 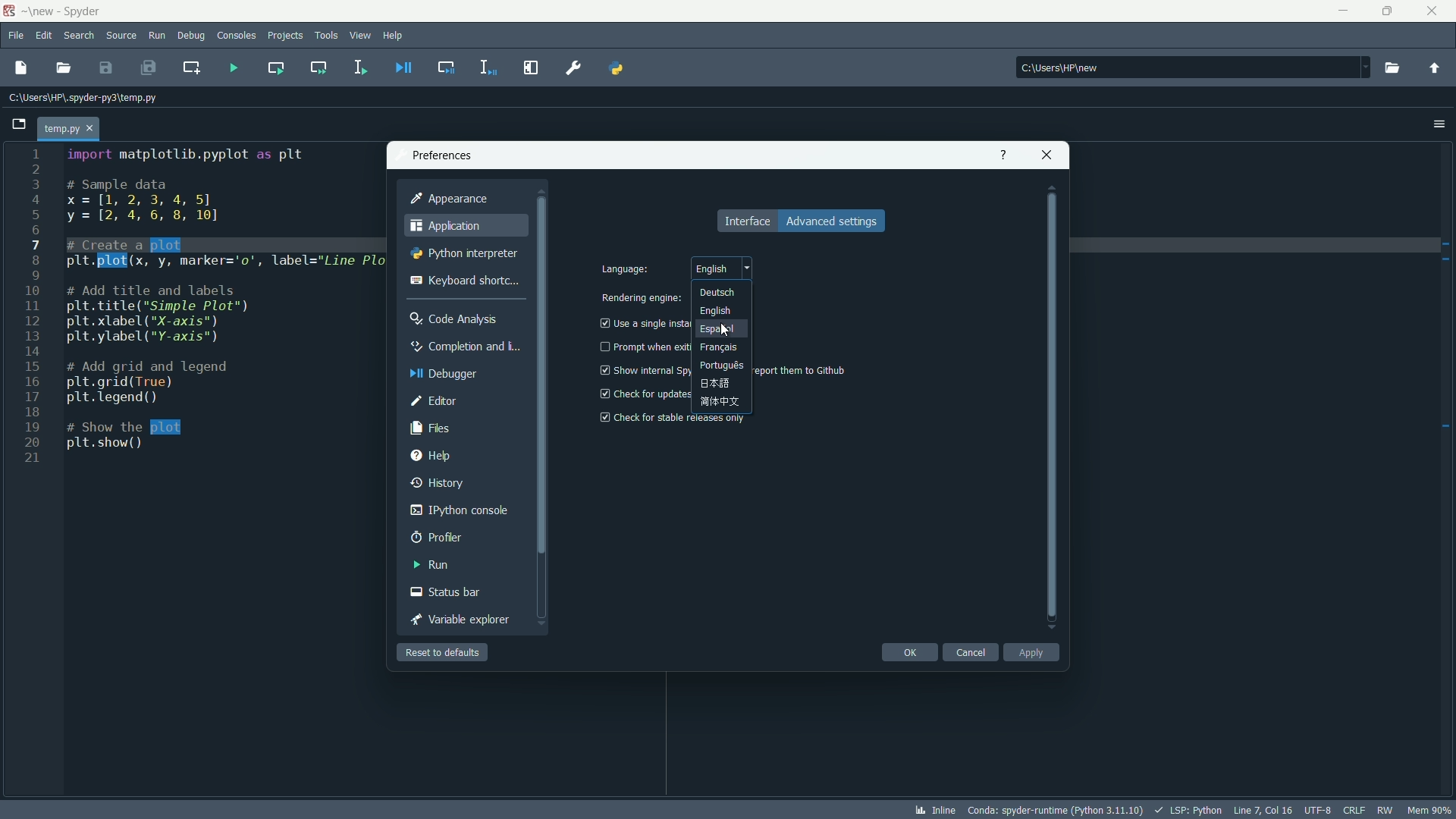 I want to click on vertical scrollbar, so click(x=1053, y=406).